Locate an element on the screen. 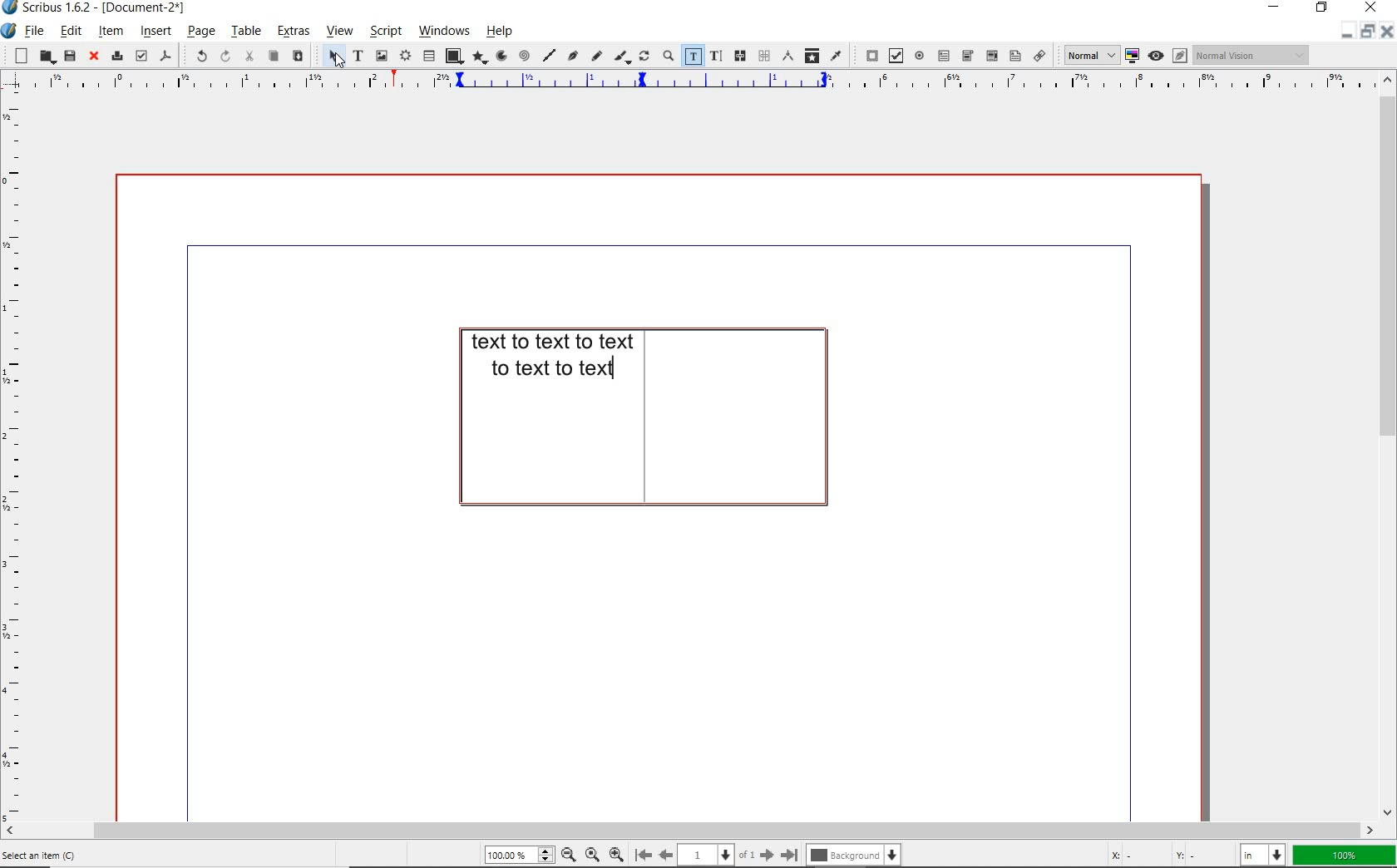  calligraphic line is located at coordinates (620, 56).